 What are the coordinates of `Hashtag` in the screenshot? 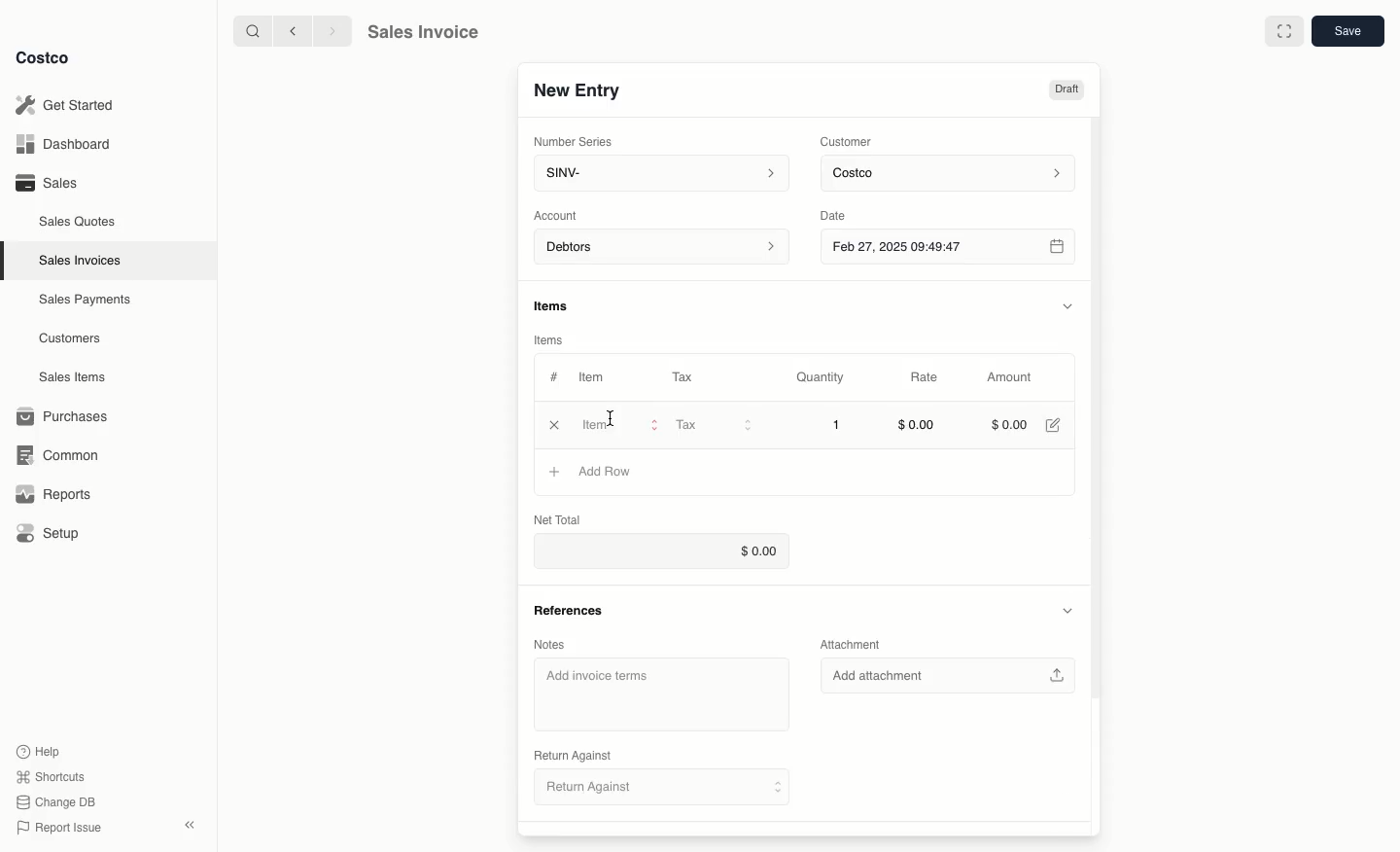 It's located at (553, 377).